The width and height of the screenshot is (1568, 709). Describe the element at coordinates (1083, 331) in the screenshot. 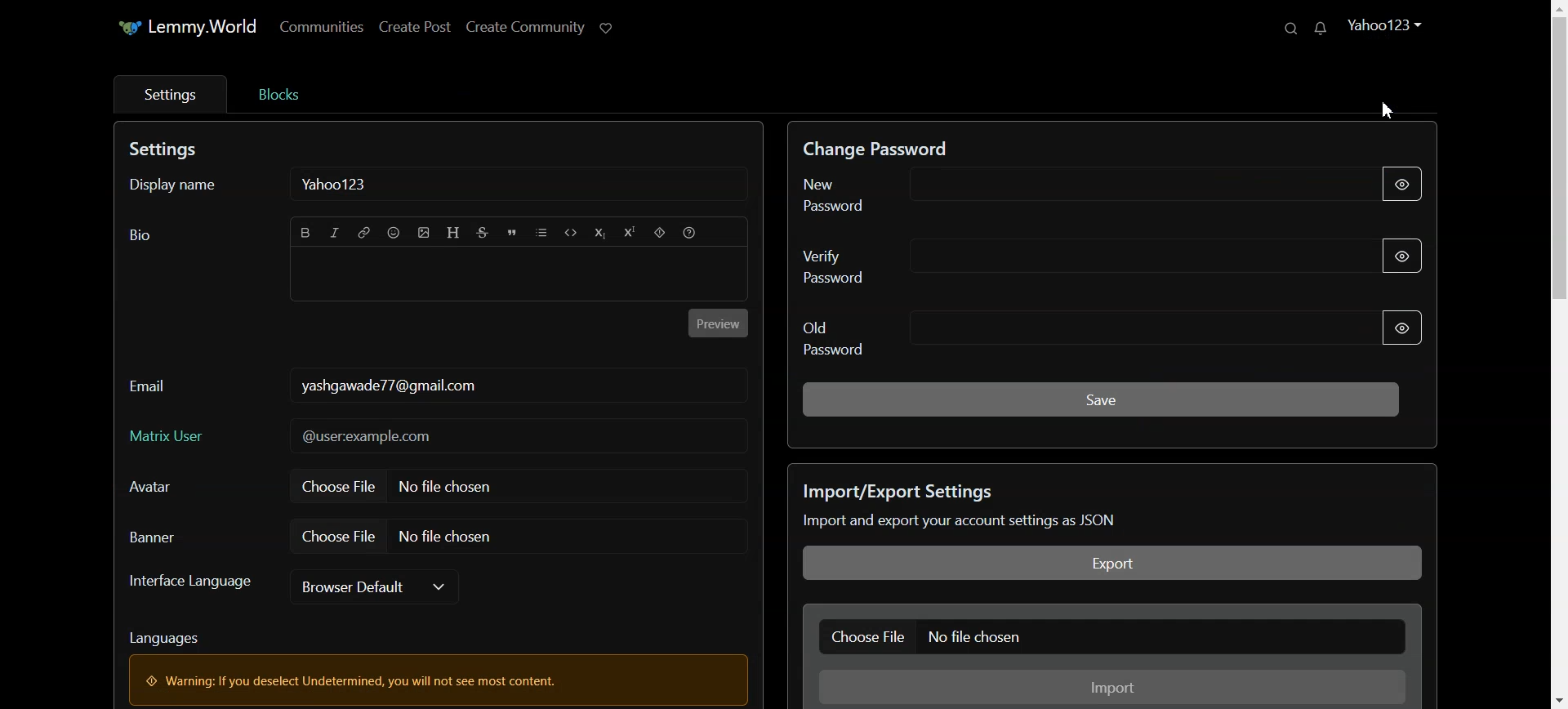

I see `Old Password` at that location.